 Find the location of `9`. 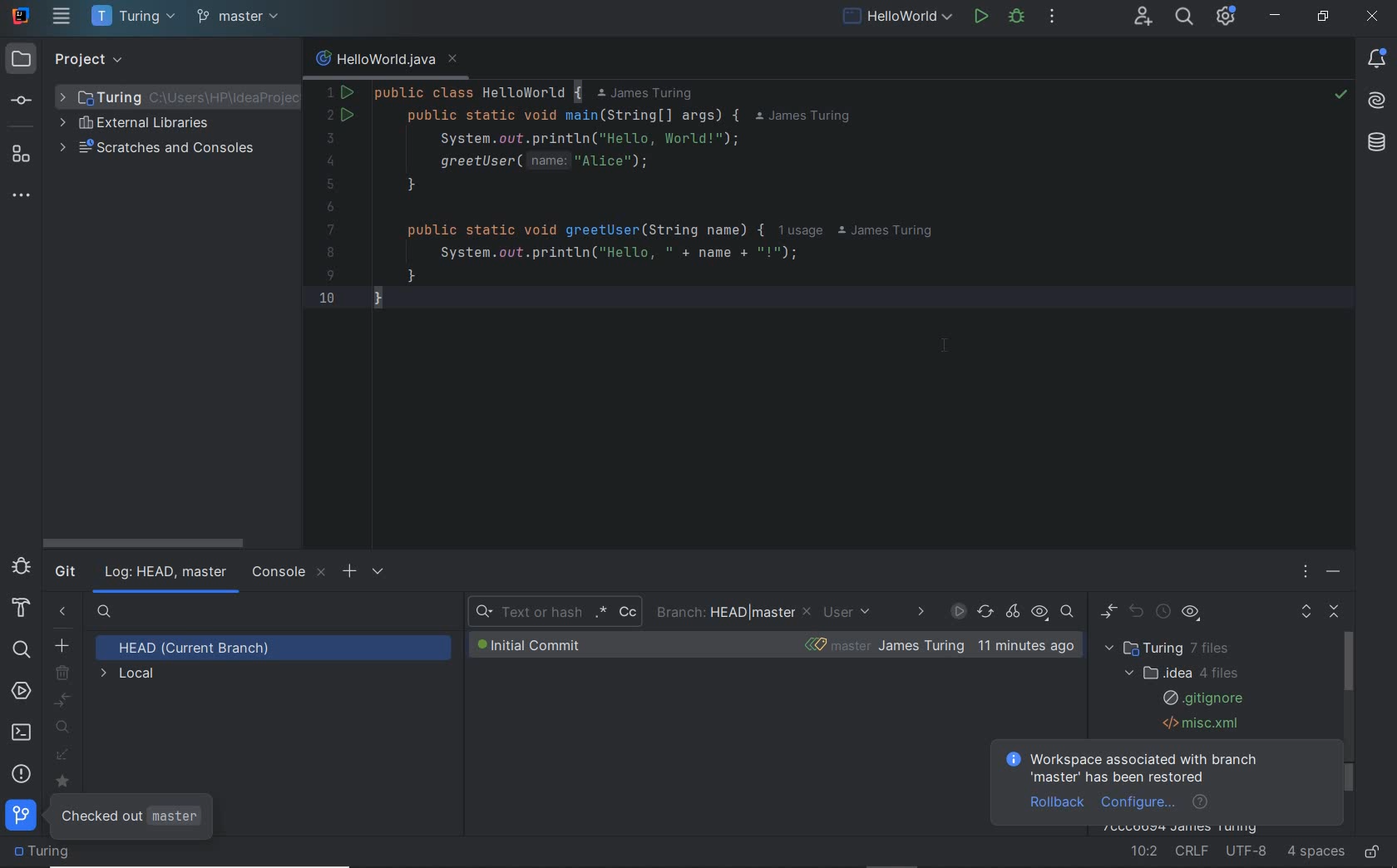

9 is located at coordinates (330, 275).